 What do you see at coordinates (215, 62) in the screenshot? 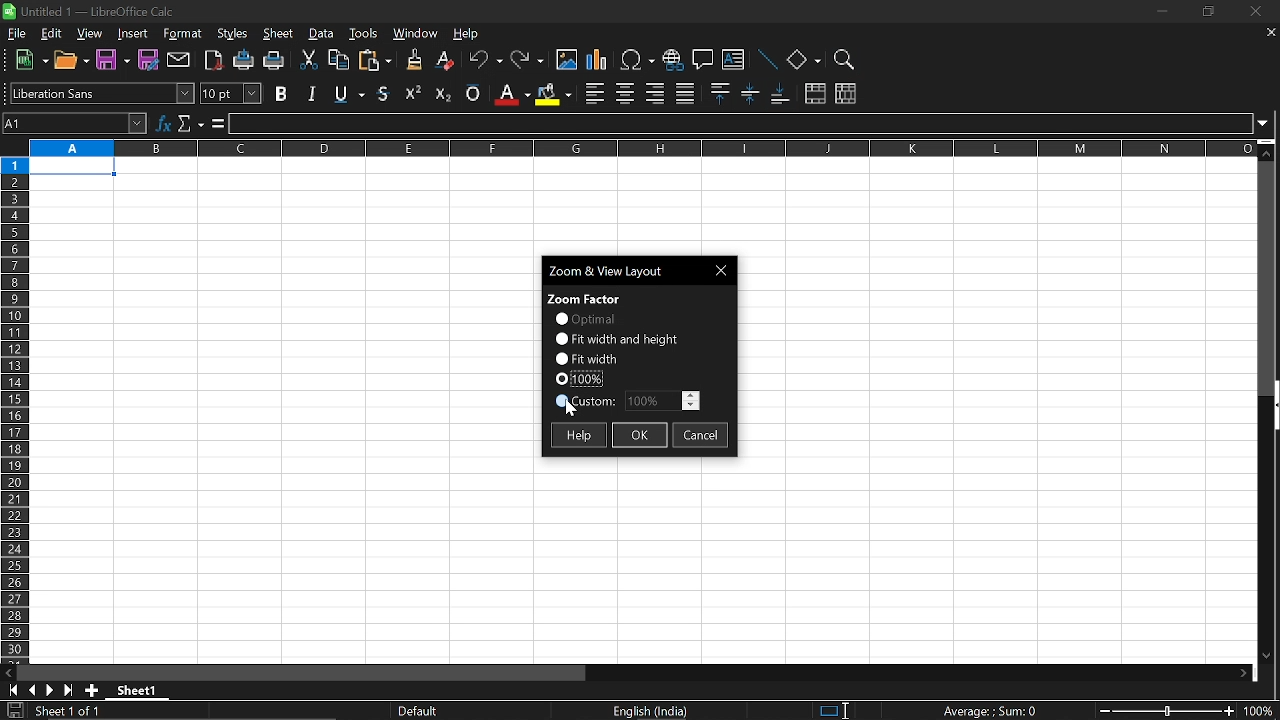
I see `export as pdf` at bounding box center [215, 62].